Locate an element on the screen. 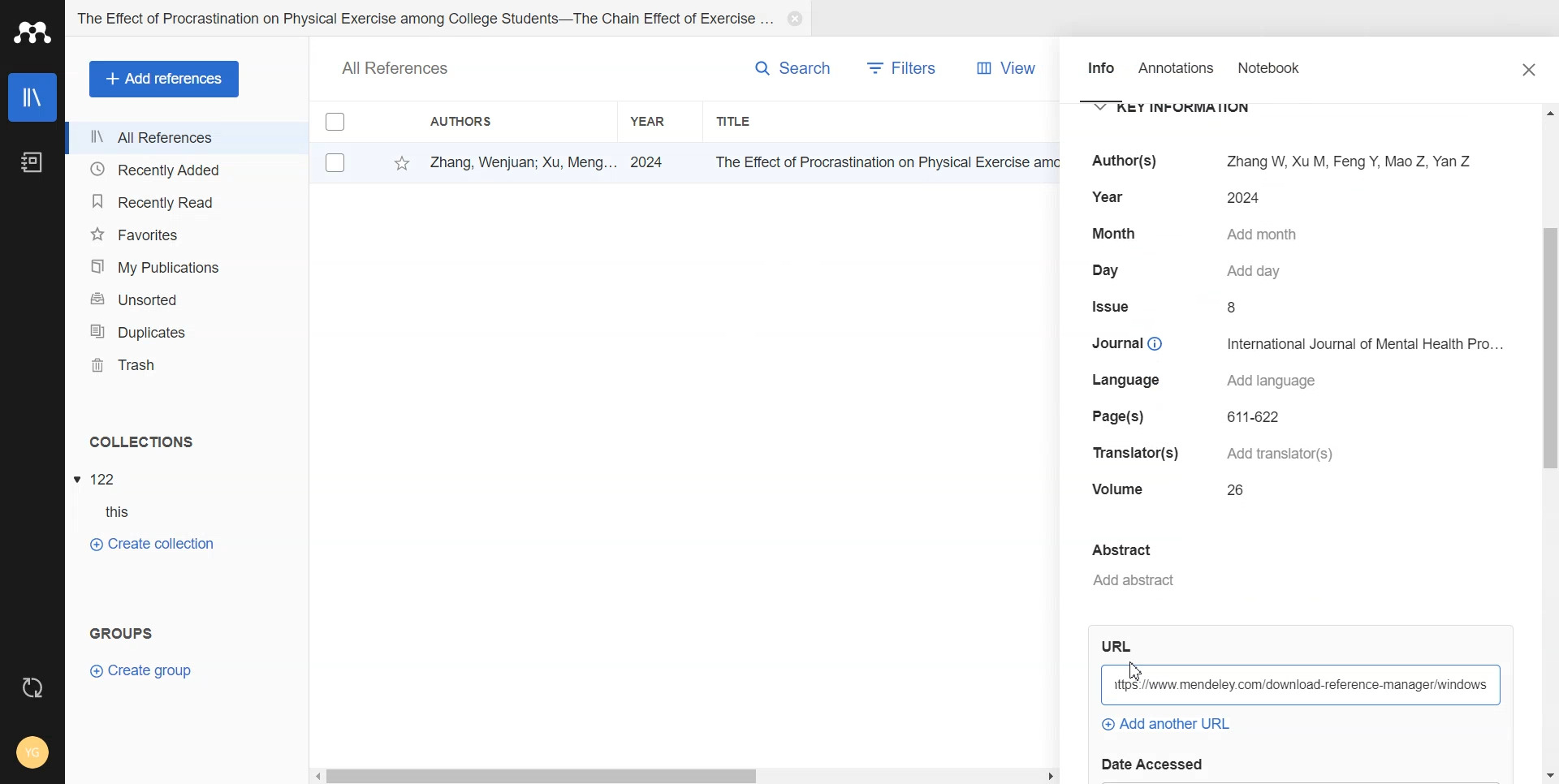 Image resolution: width=1559 pixels, height=784 pixels. Text is located at coordinates (140, 442).